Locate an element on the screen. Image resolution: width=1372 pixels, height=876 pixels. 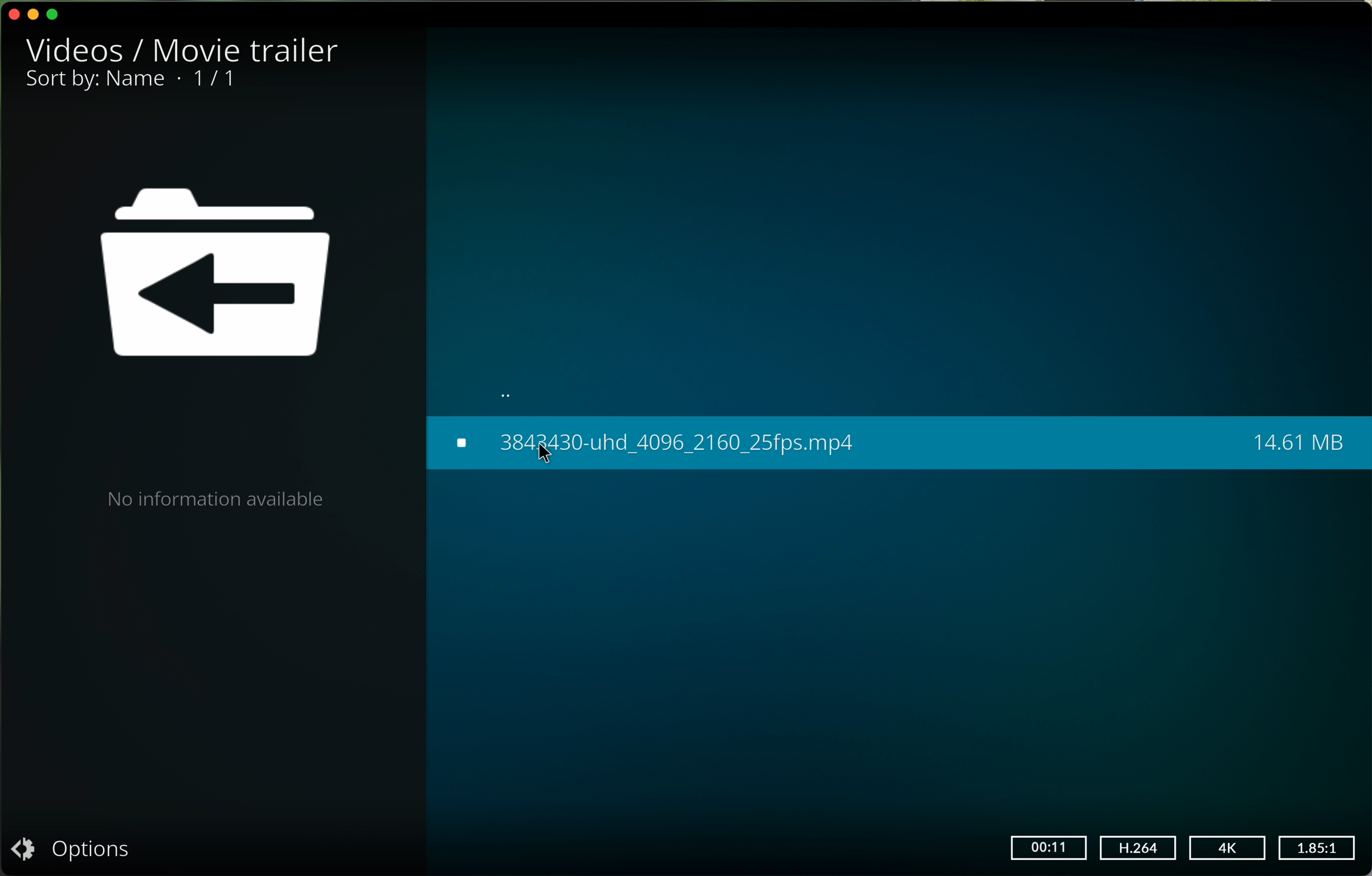
back folder icon is located at coordinates (219, 277).